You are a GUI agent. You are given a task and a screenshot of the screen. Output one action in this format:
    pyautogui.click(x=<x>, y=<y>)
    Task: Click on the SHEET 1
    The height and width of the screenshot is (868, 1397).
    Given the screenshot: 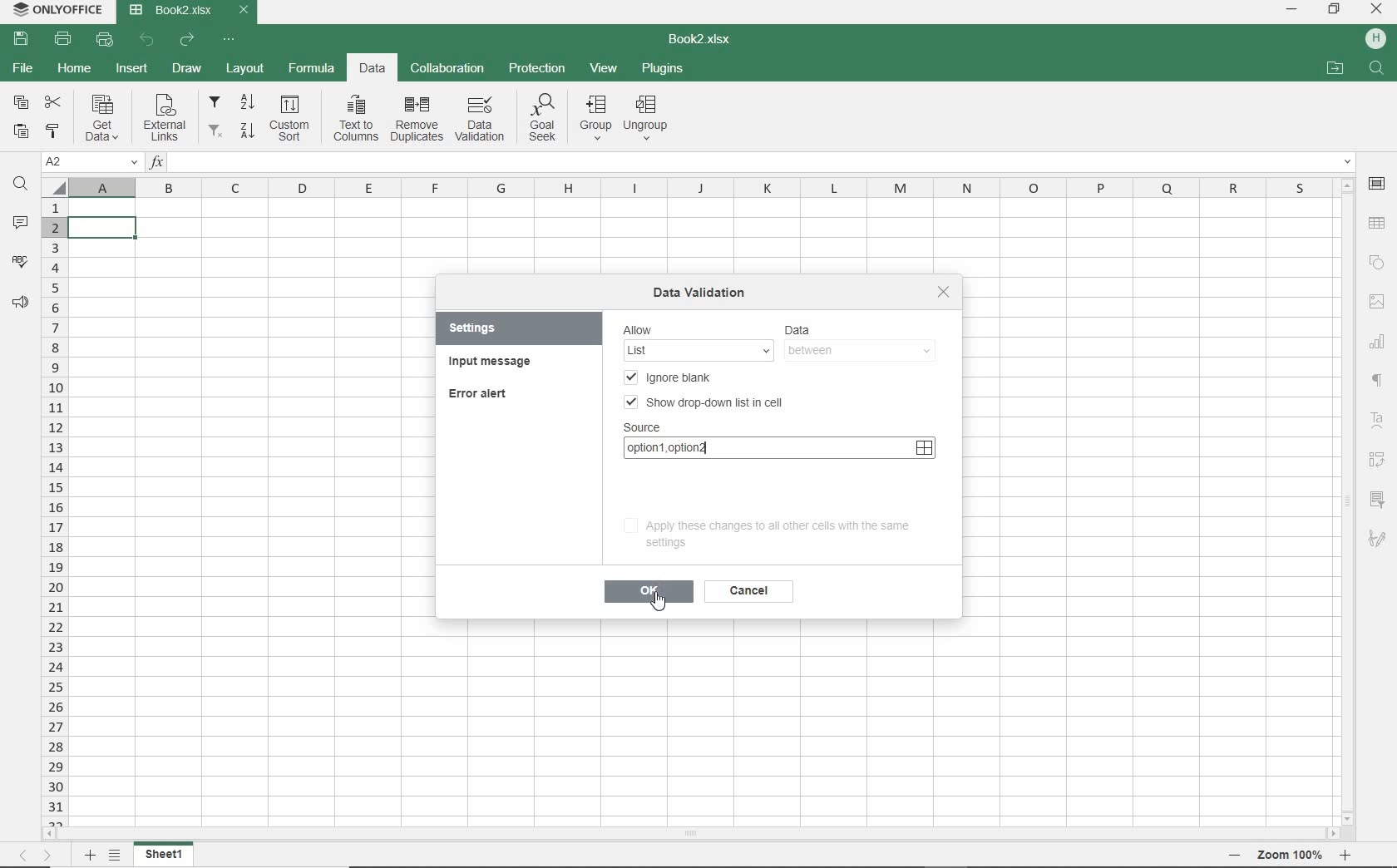 What is the action you would take?
    pyautogui.click(x=165, y=855)
    